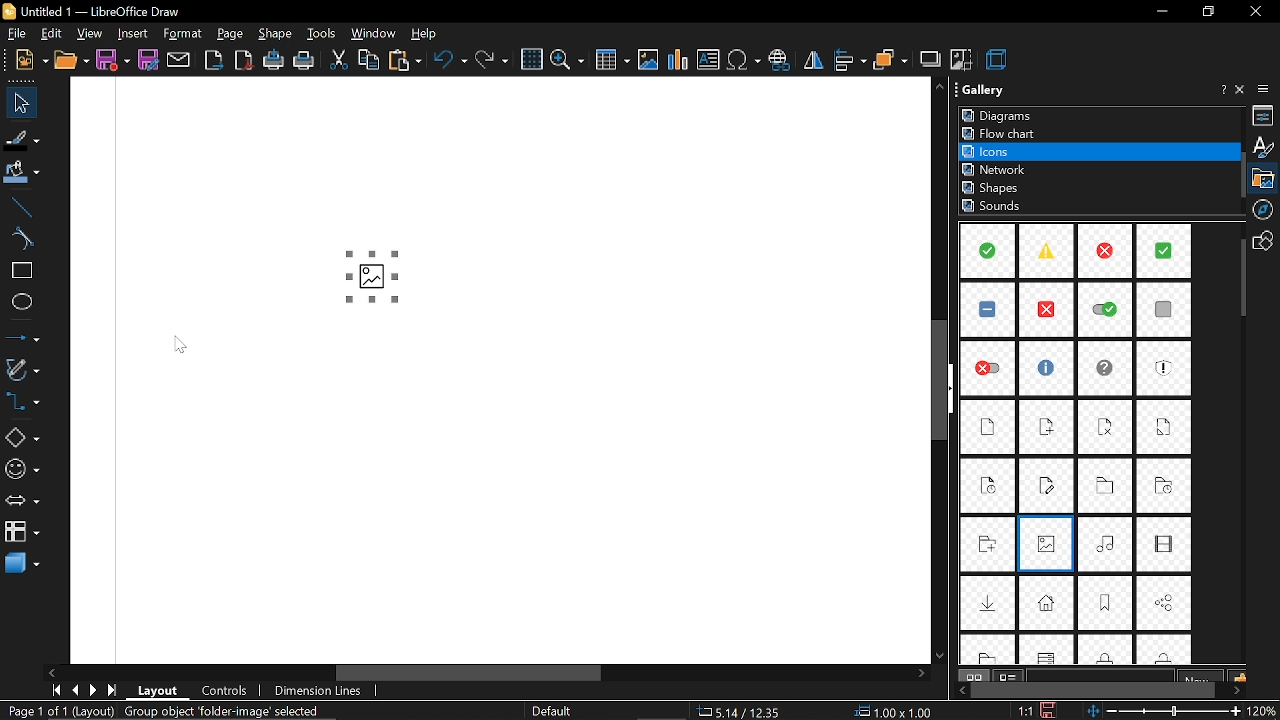 Image resolution: width=1280 pixels, height=720 pixels. I want to click on gallery, so click(1266, 178).